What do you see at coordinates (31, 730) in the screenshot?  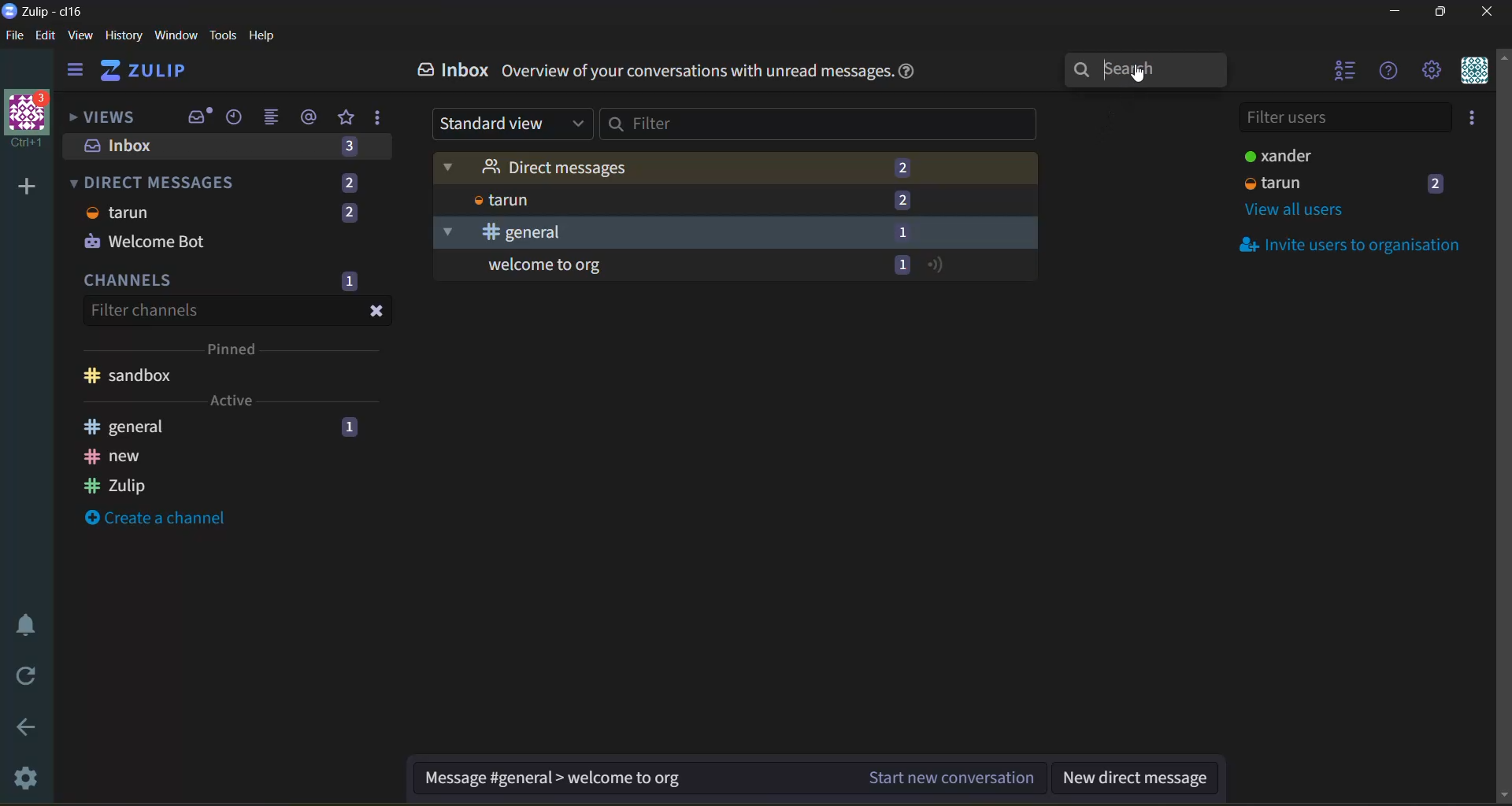 I see `go back` at bounding box center [31, 730].